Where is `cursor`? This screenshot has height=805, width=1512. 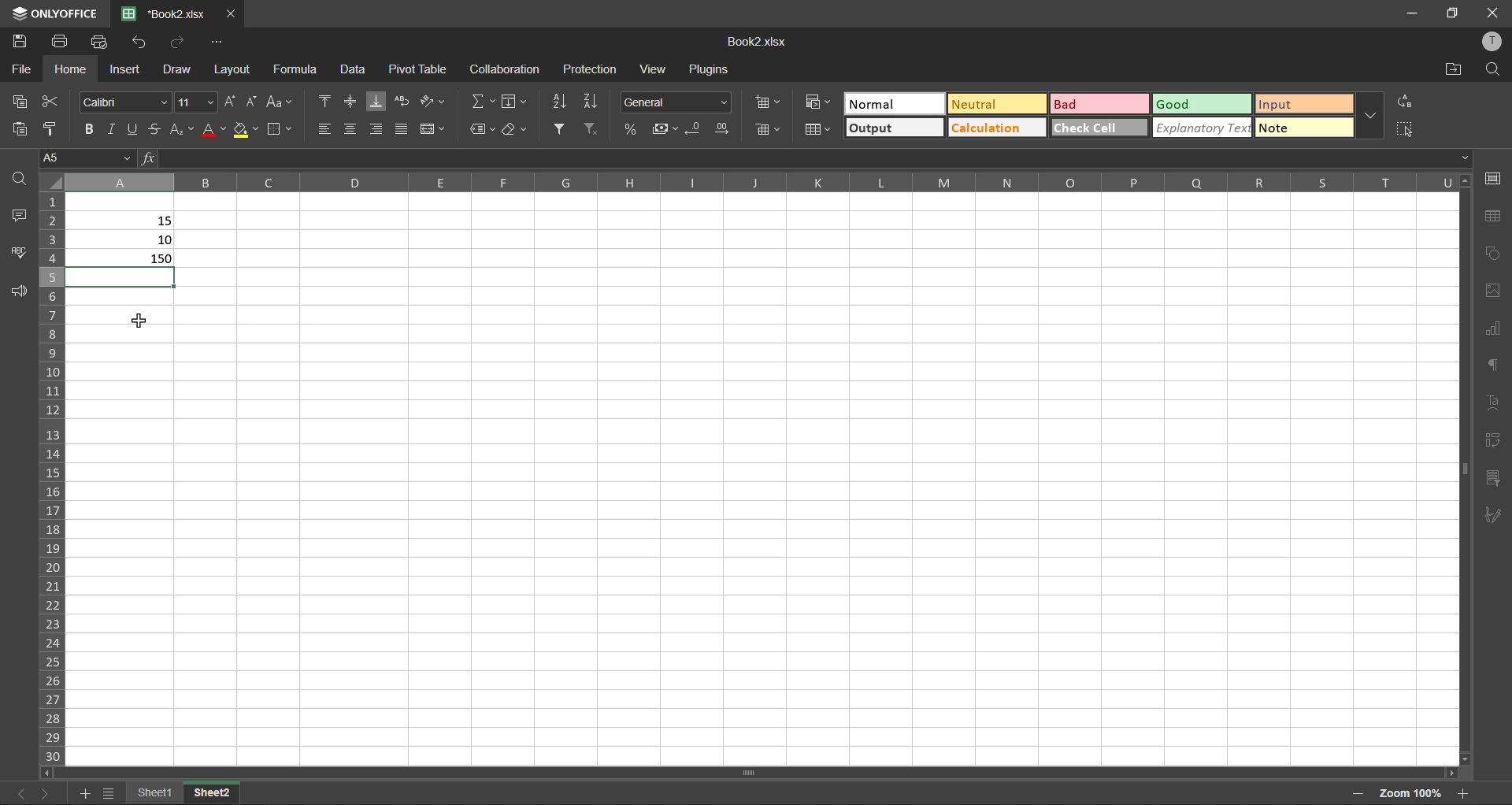 cursor is located at coordinates (139, 319).